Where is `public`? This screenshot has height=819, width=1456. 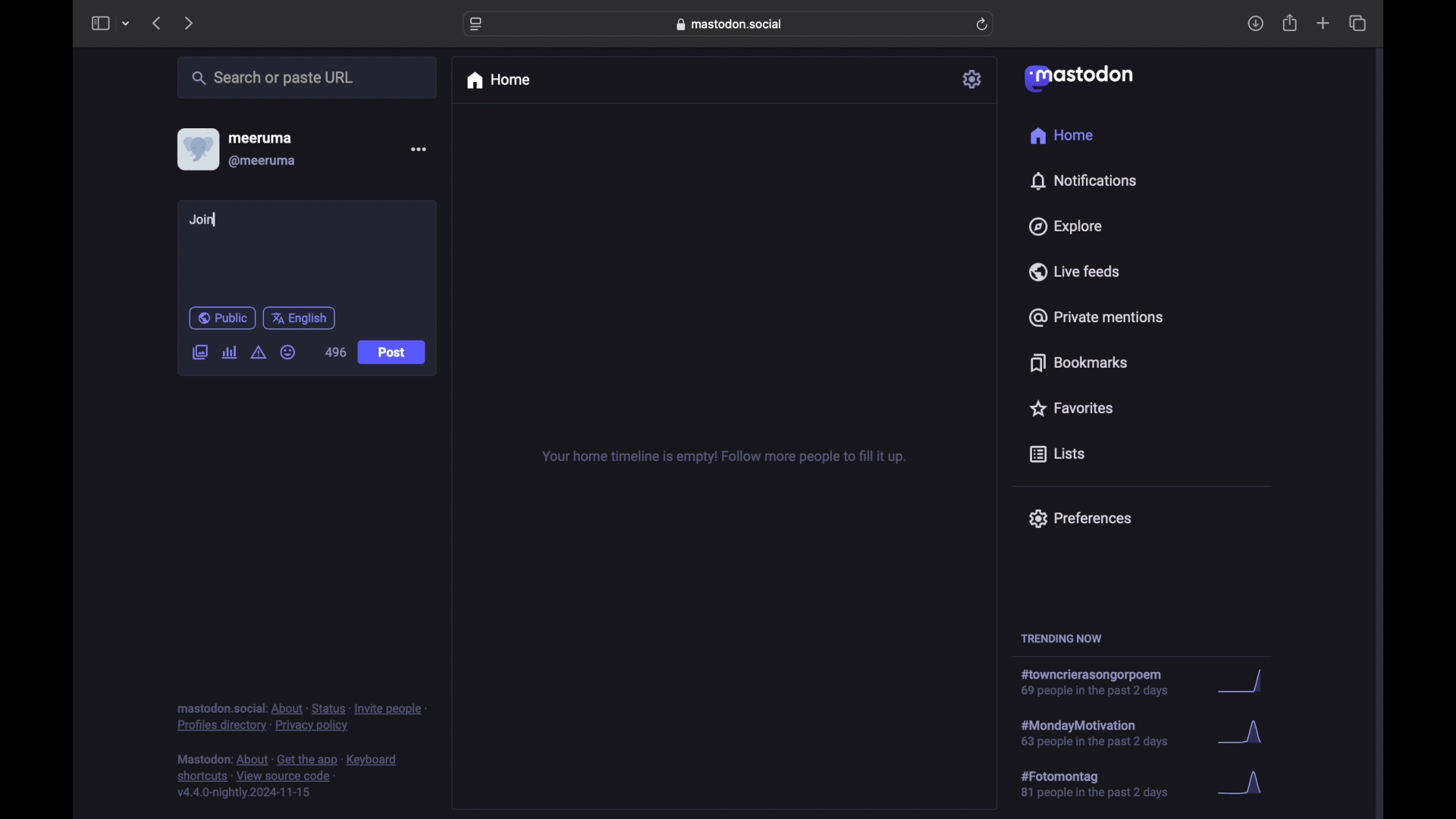
public is located at coordinates (221, 318).